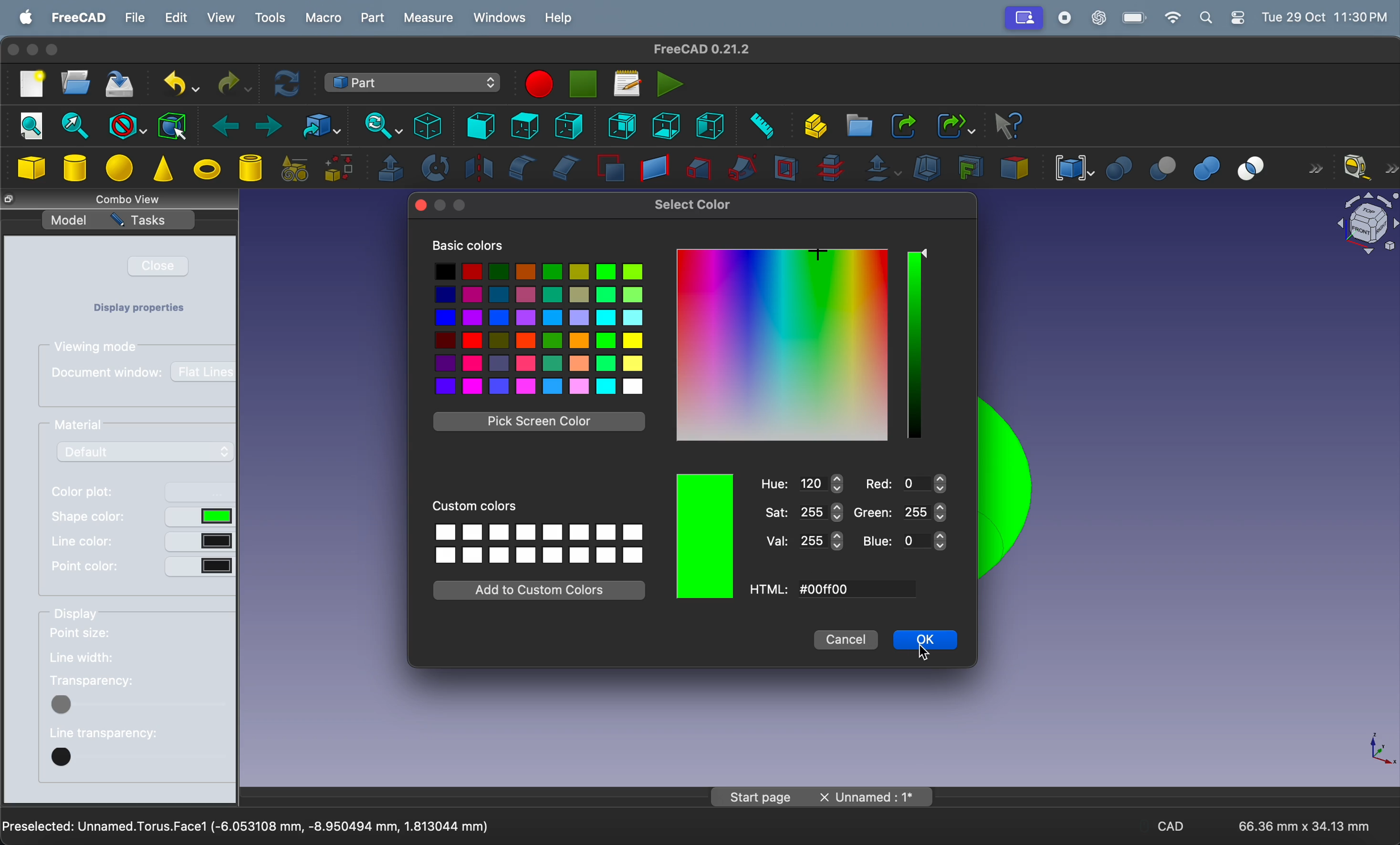  What do you see at coordinates (145, 451) in the screenshot?
I see `default` at bounding box center [145, 451].